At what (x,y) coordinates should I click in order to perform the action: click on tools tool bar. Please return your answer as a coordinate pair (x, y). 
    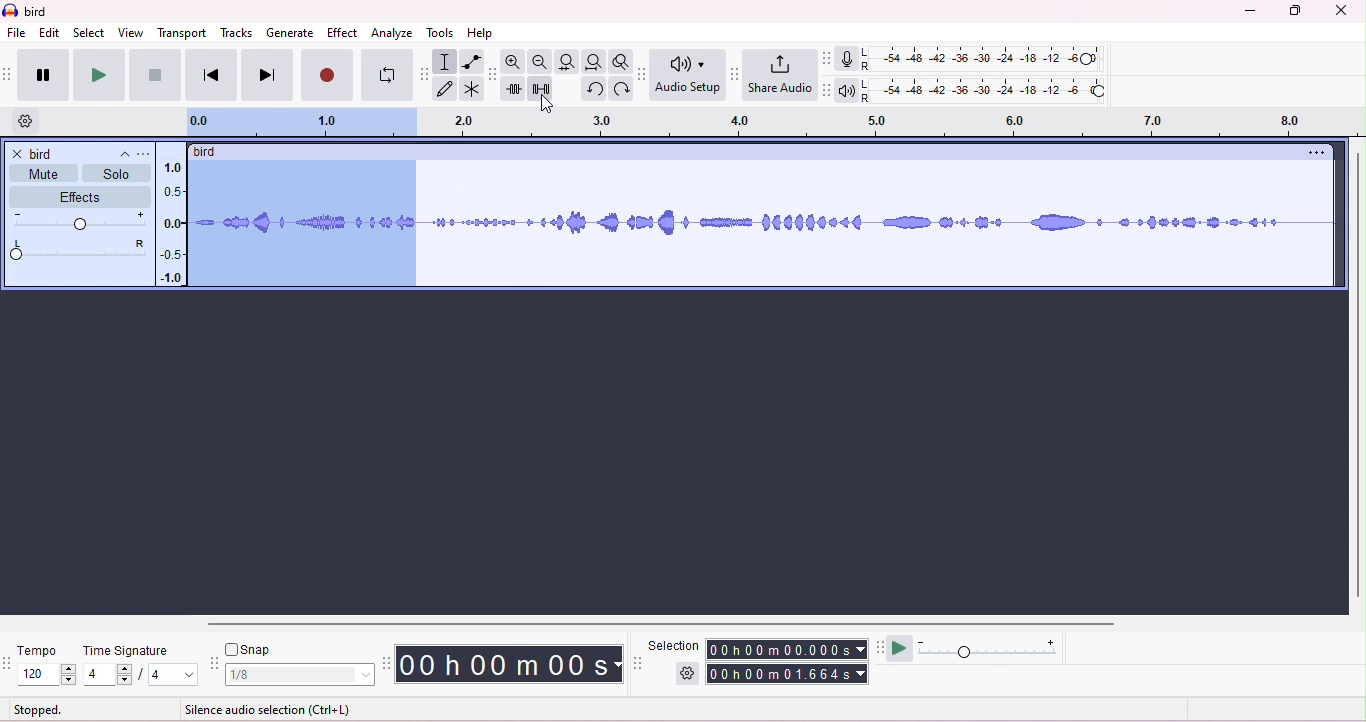
    Looking at the image, I should click on (423, 73).